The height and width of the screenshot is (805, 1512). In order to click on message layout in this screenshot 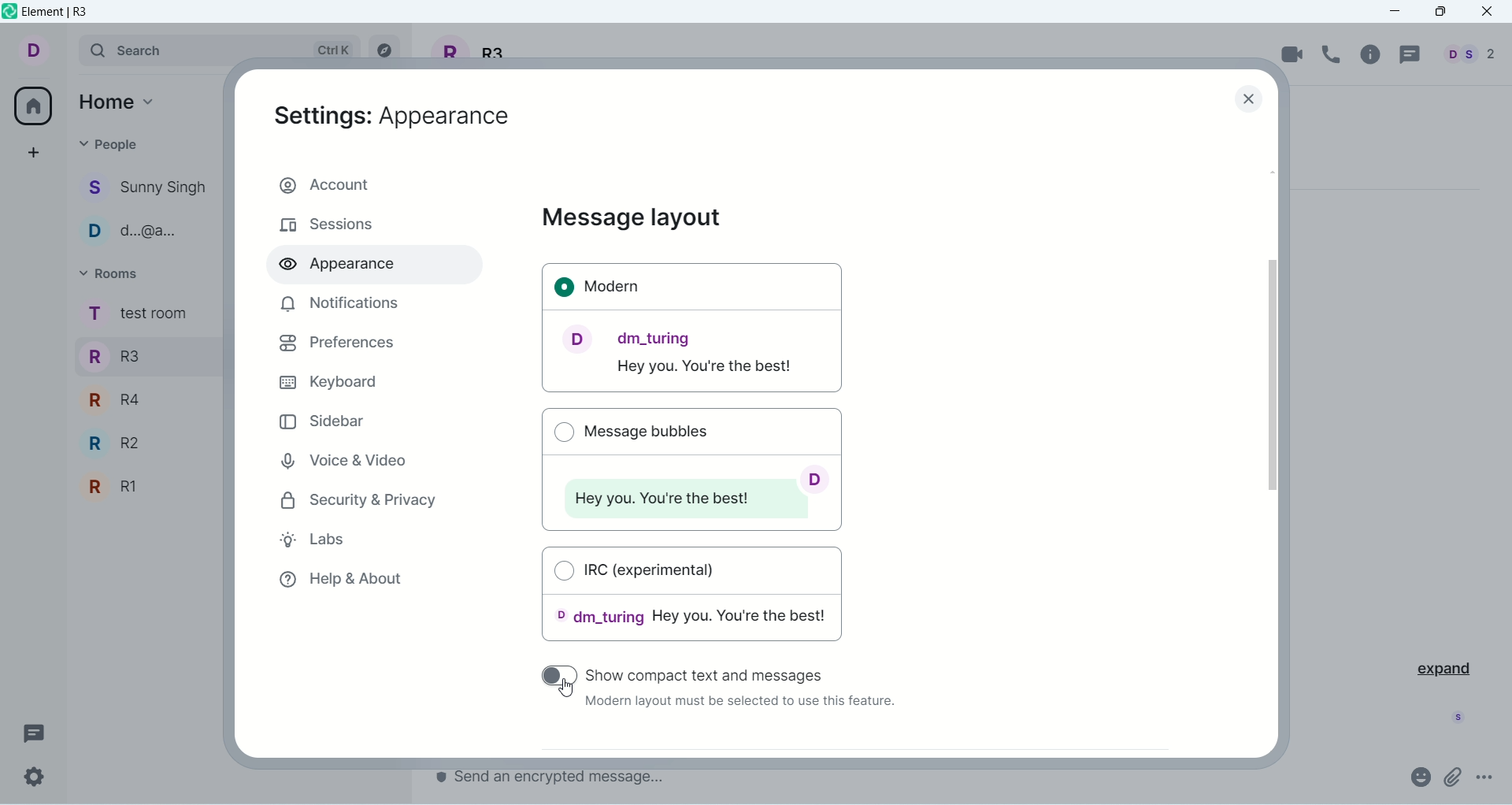, I will do `click(632, 218)`.